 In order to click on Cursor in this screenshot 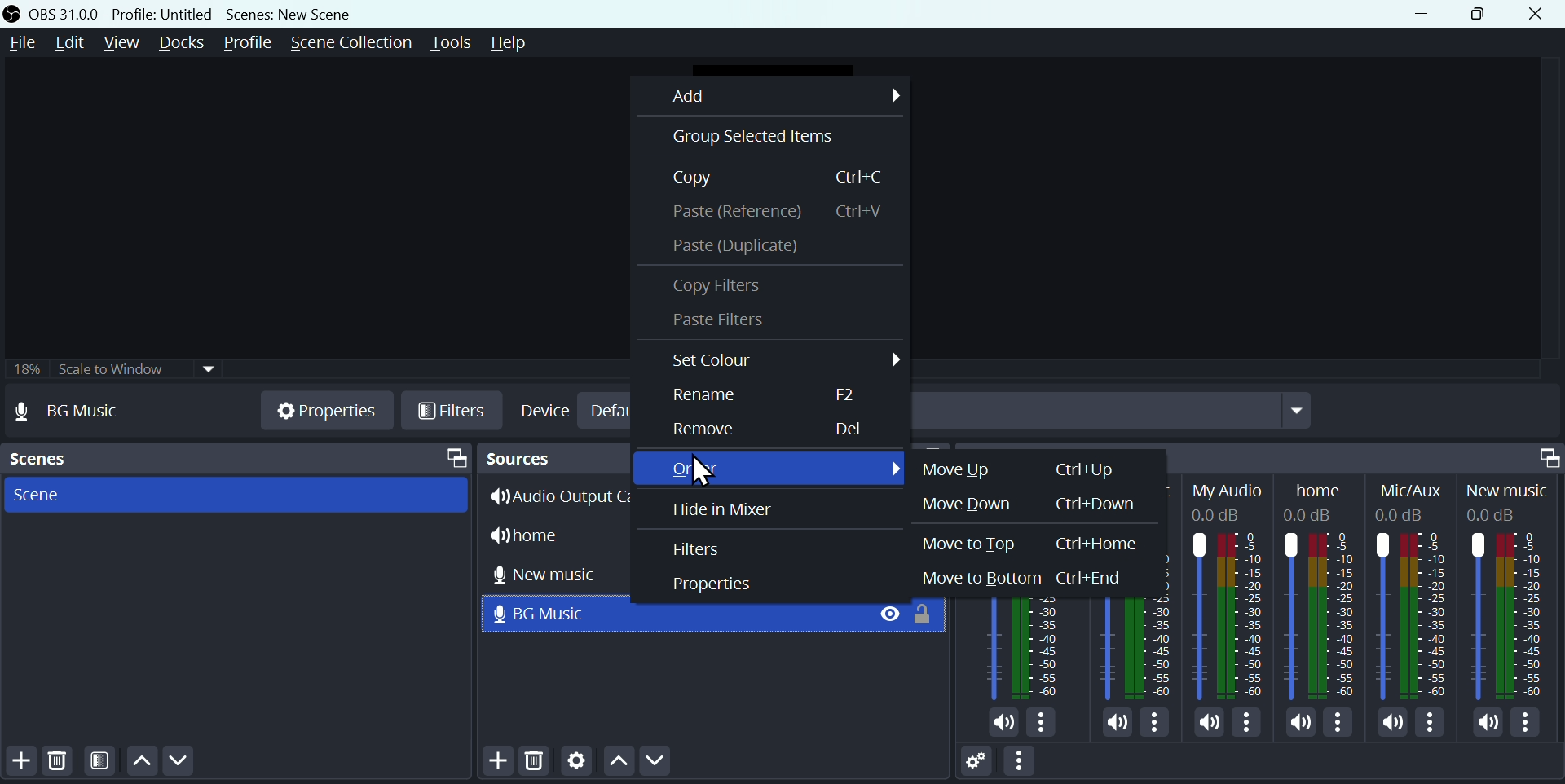, I will do `click(706, 468)`.